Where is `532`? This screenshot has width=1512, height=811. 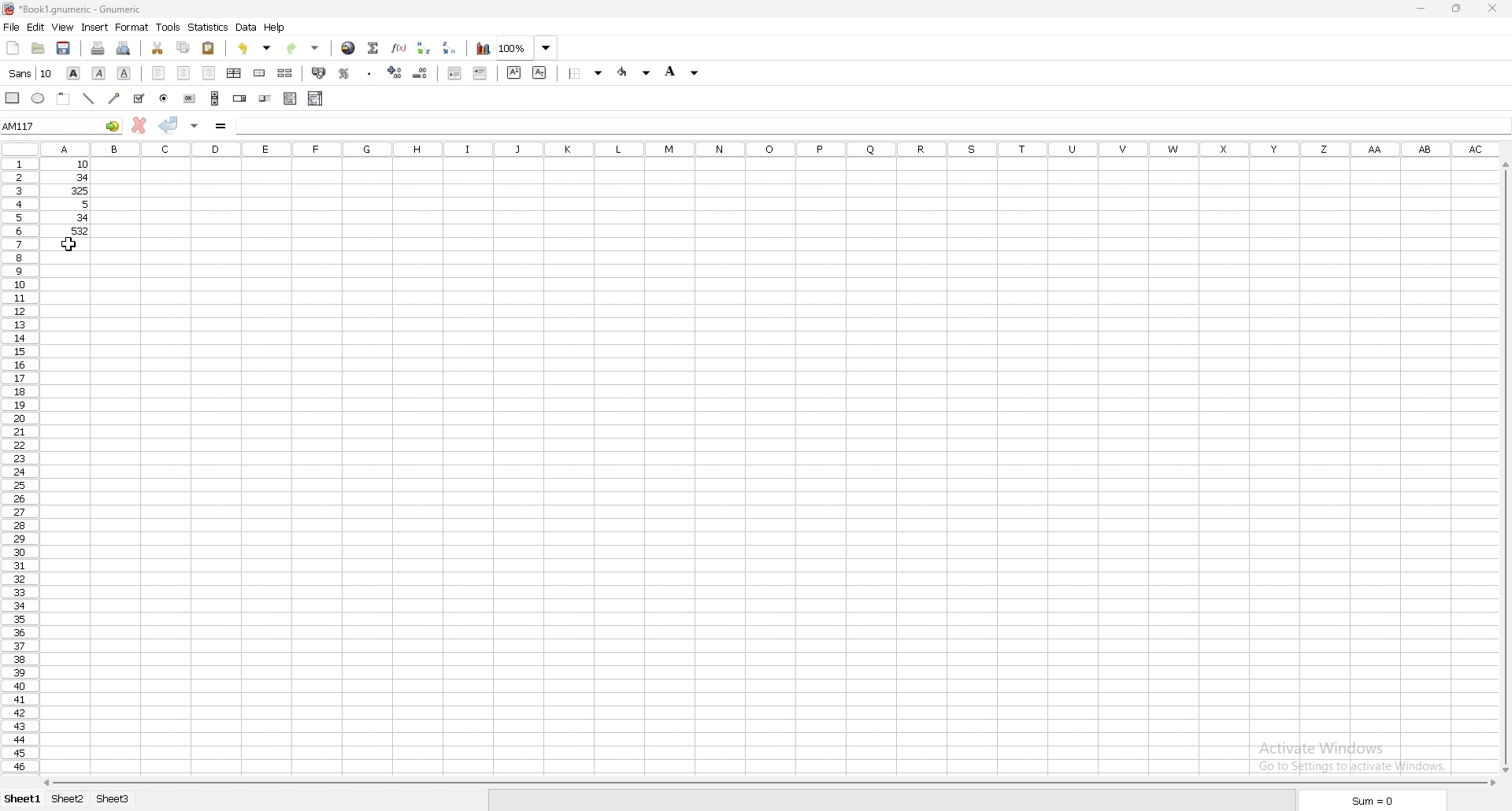
532 is located at coordinates (72, 231).